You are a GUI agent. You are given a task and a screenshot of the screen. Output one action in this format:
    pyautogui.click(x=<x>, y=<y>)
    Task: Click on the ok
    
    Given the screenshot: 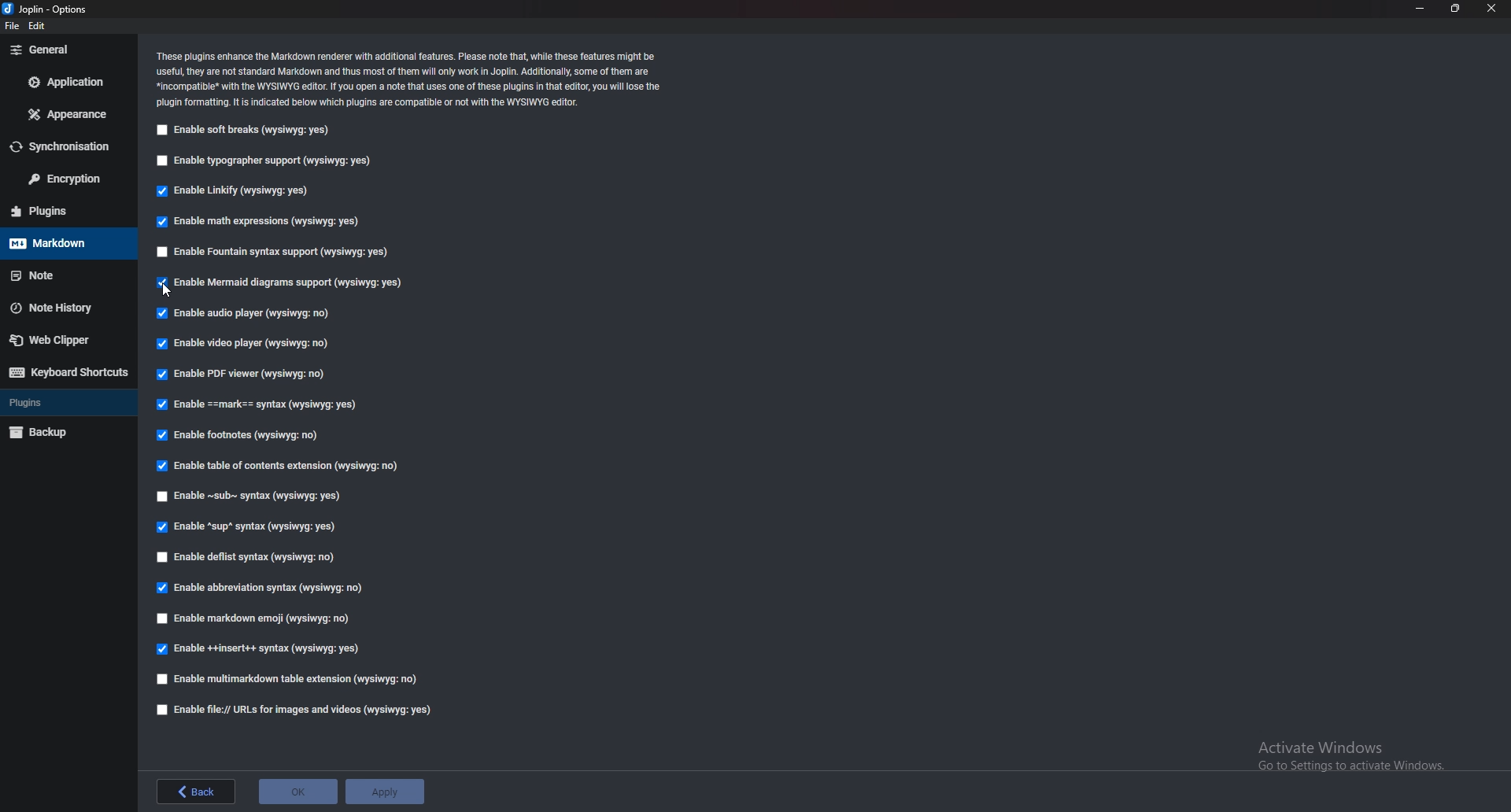 What is the action you would take?
    pyautogui.click(x=297, y=791)
    